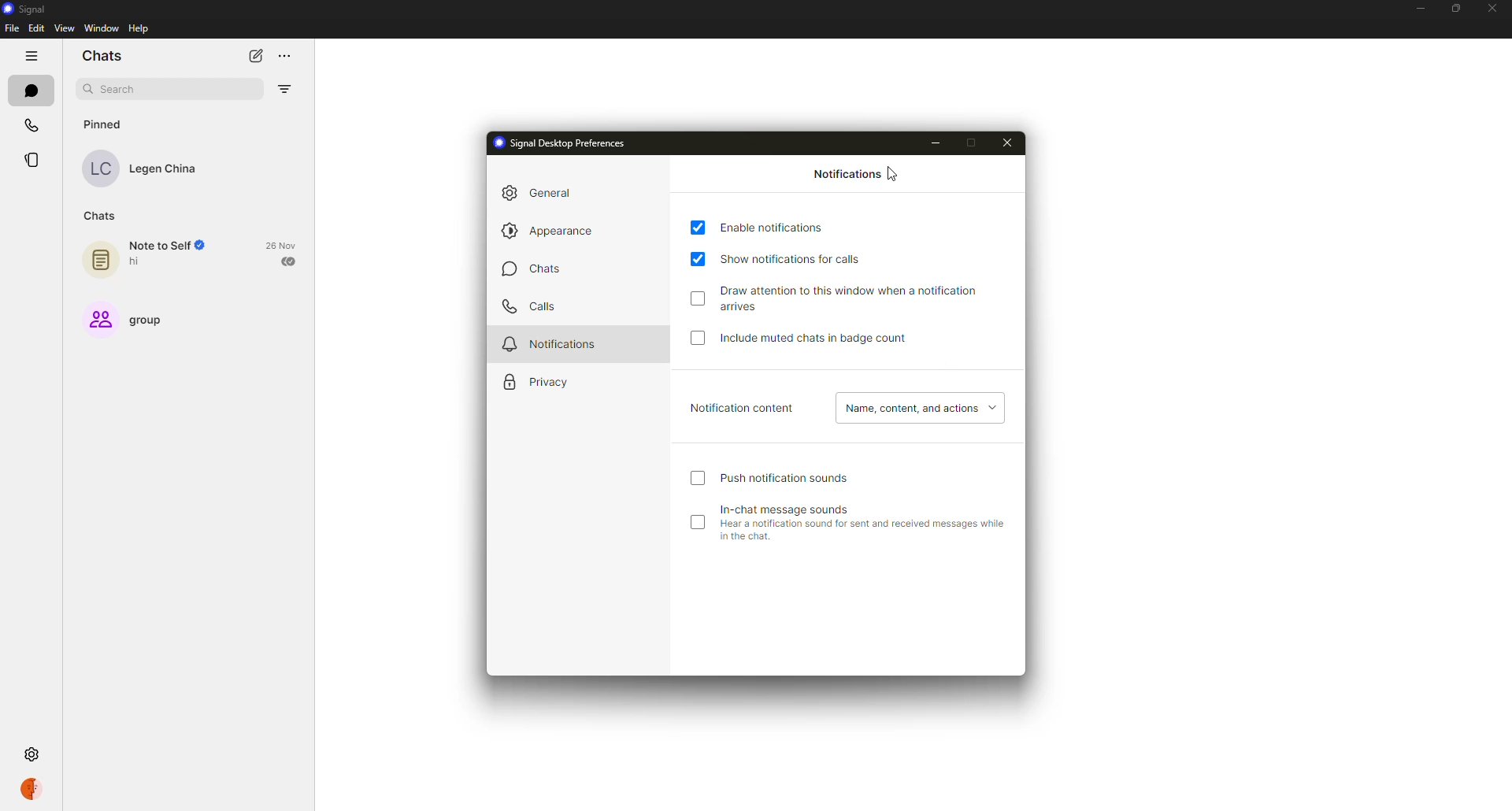 This screenshot has width=1512, height=811. What do you see at coordinates (785, 479) in the screenshot?
I see `push notification sound` at bounding box center [785, 479].